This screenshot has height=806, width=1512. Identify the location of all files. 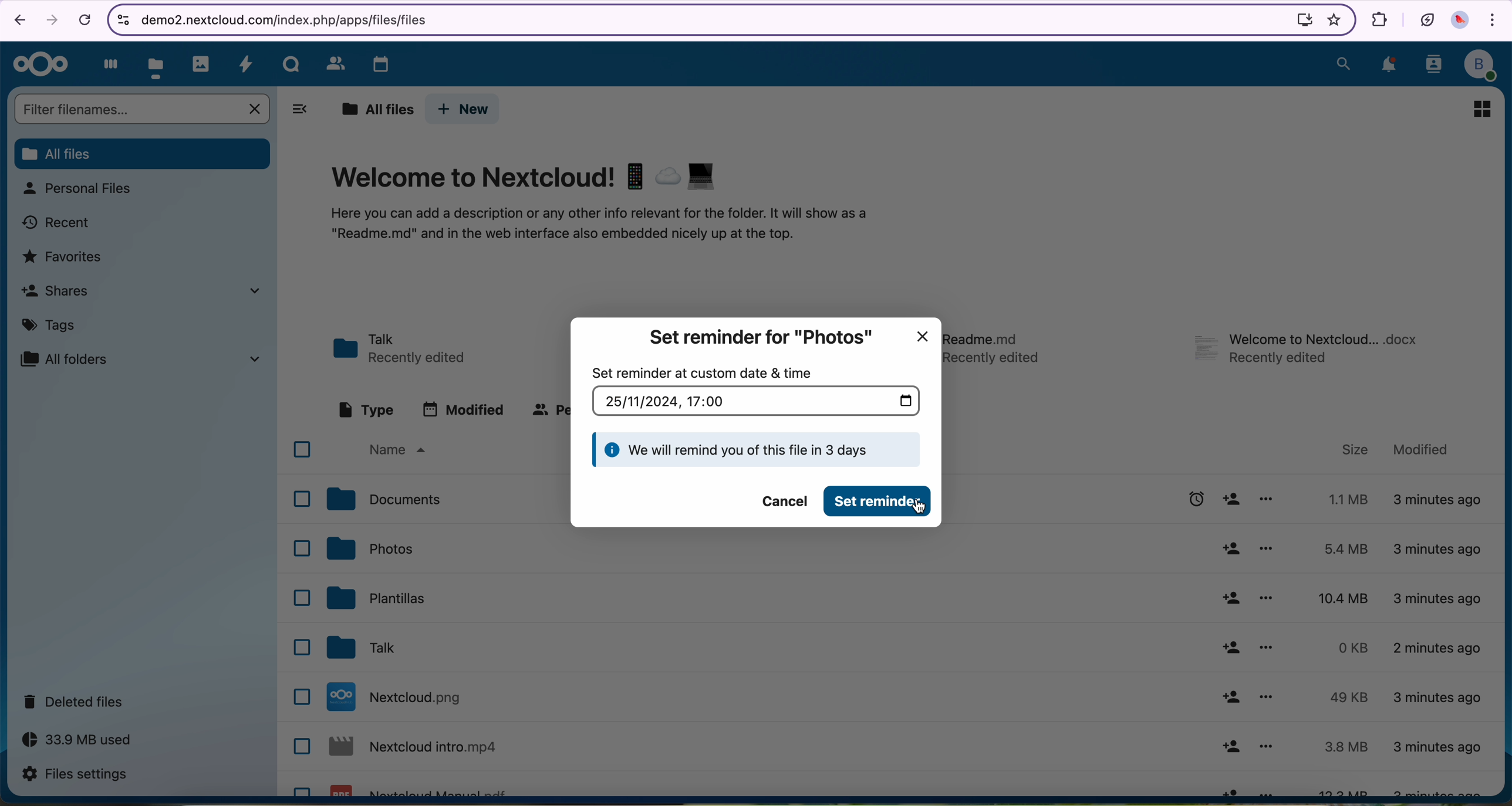
(143, 154).